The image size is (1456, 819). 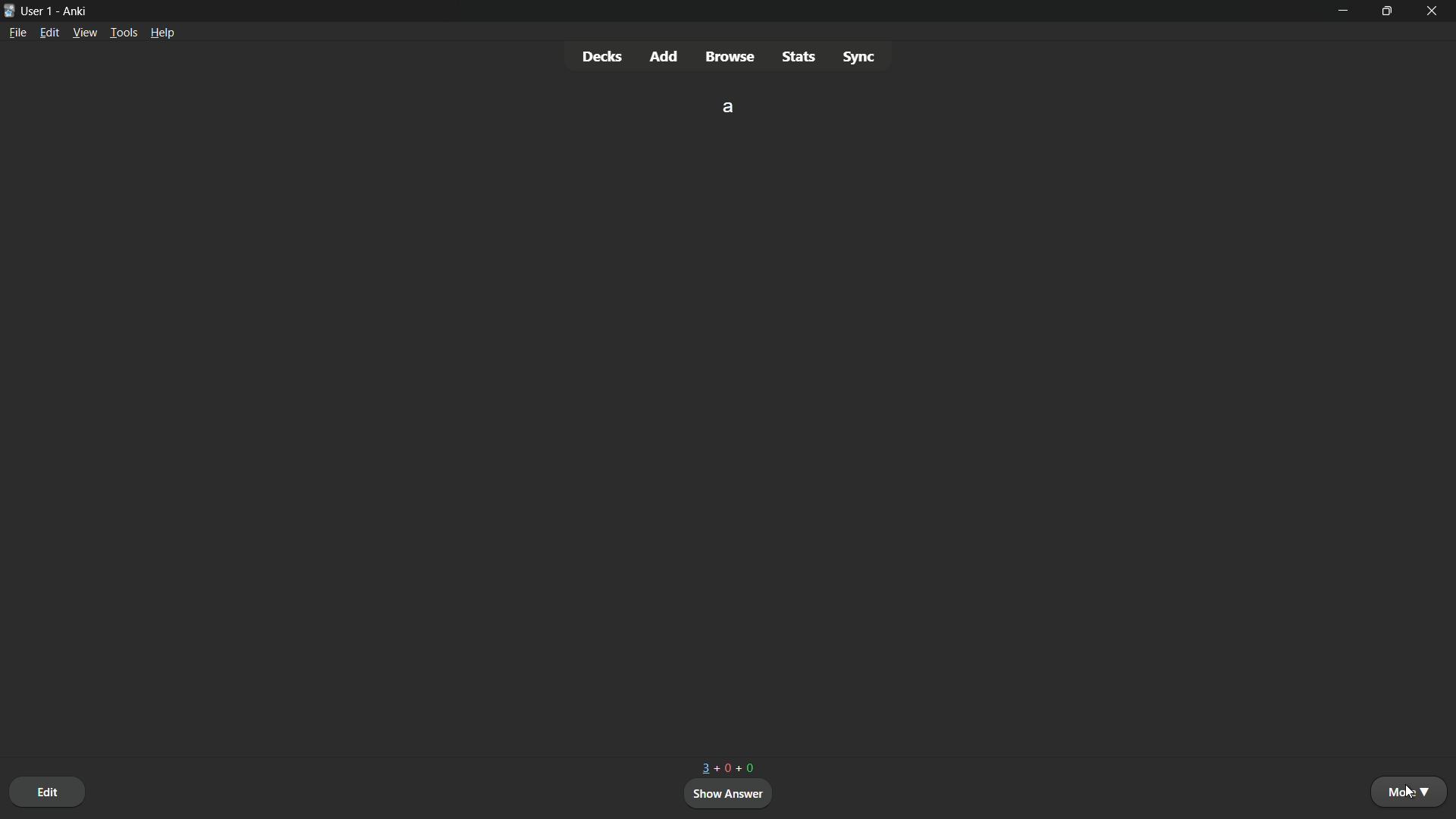 I want to click on +0, so click(x=746, y=766).